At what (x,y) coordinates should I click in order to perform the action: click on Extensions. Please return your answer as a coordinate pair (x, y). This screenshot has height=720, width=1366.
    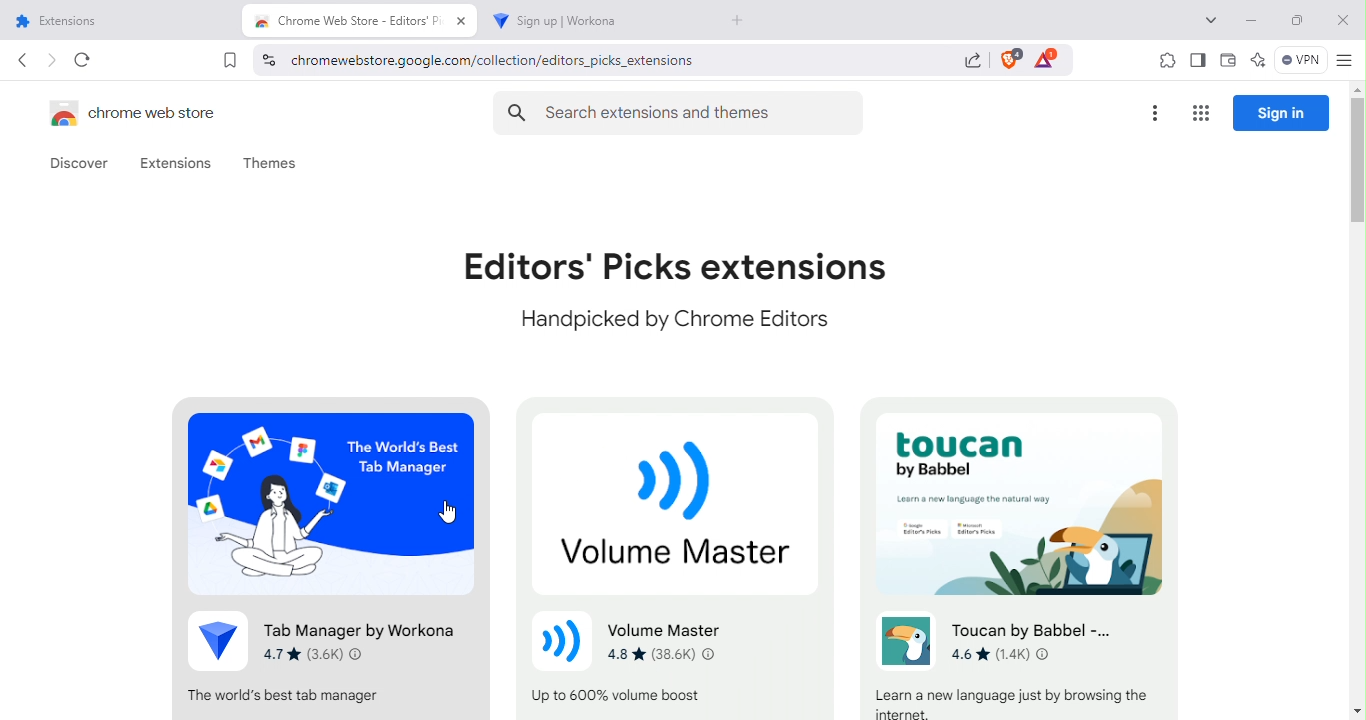
    Looking at the image, I should click on (1163, 61).